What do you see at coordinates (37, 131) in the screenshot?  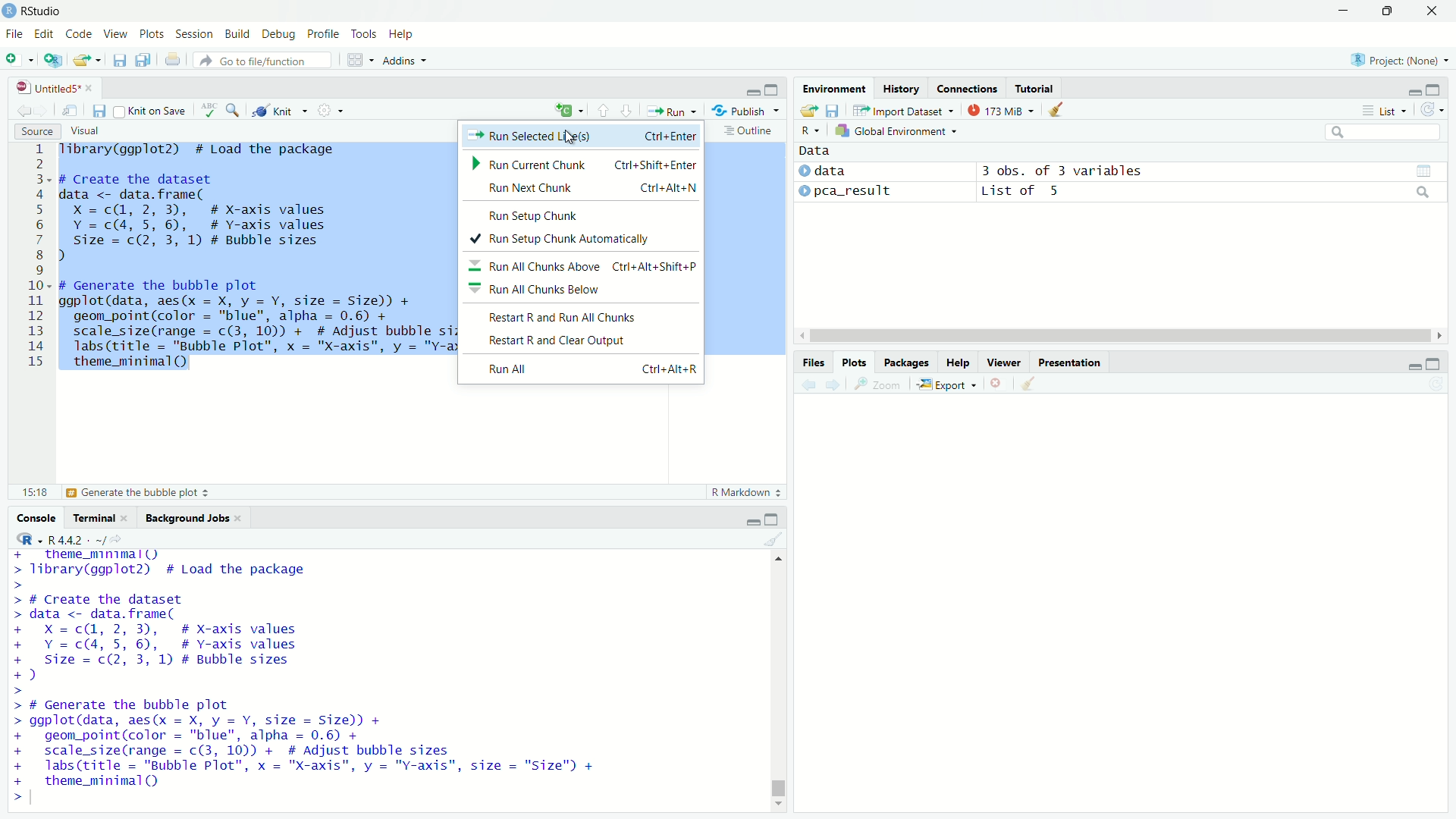 I see `source` at bounding box center [37, 131].